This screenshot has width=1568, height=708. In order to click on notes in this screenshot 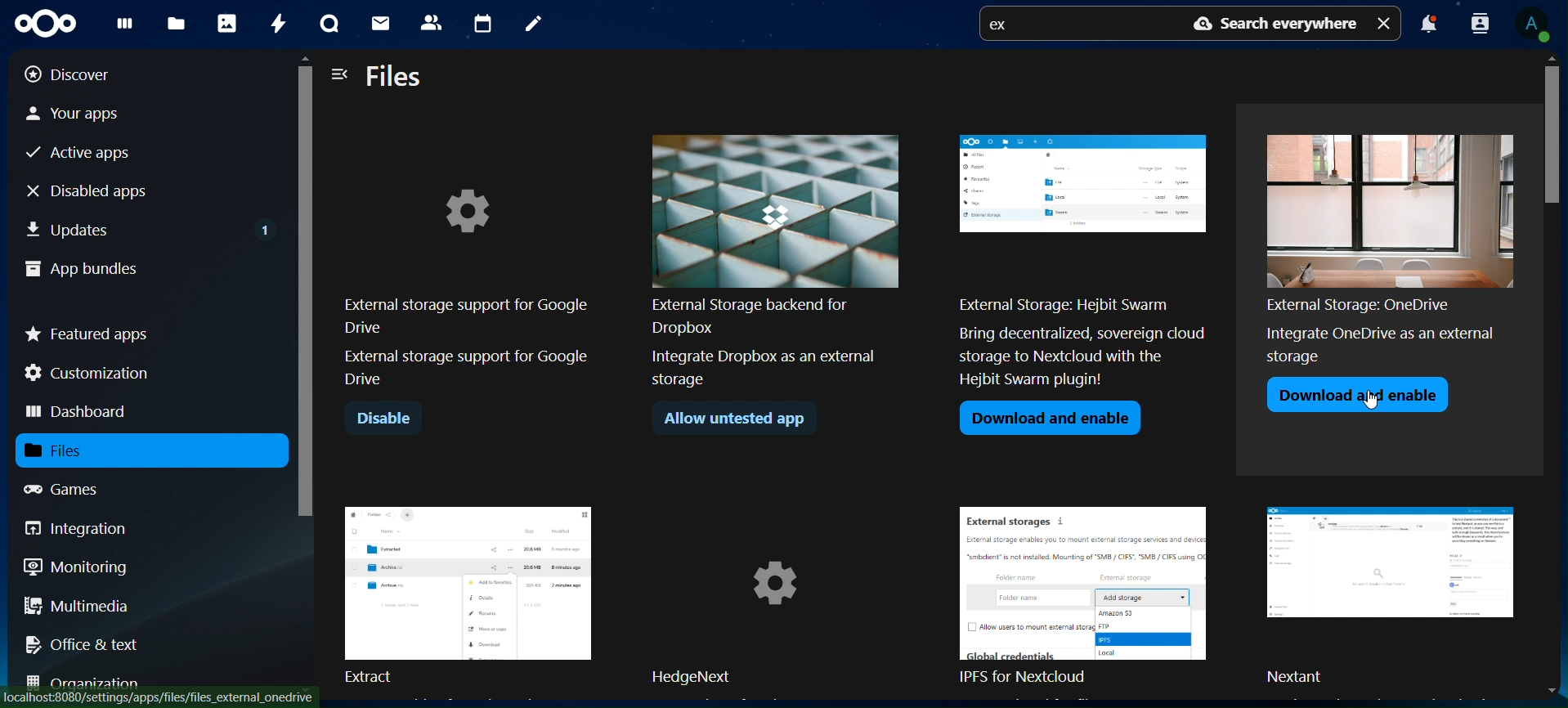, I will do `click(531, 25)`.